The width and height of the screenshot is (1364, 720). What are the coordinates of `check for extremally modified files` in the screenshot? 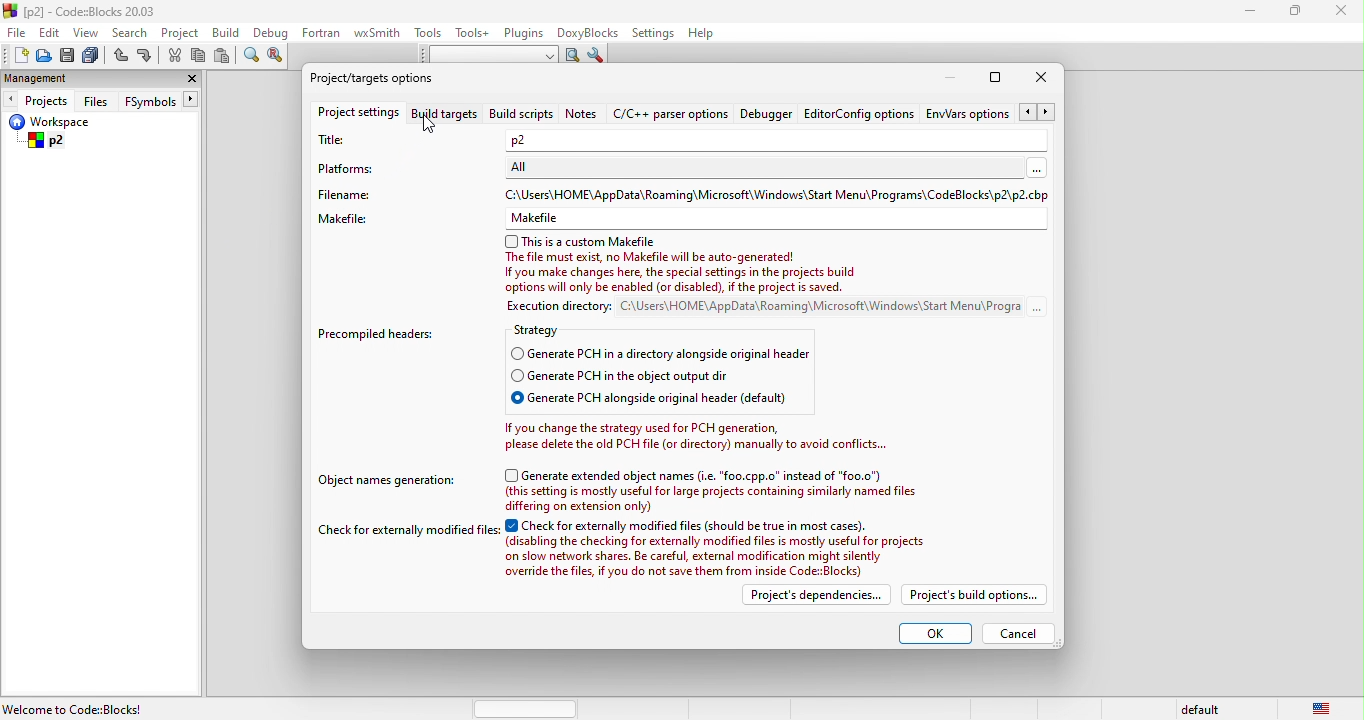 It's located at (410, 532).